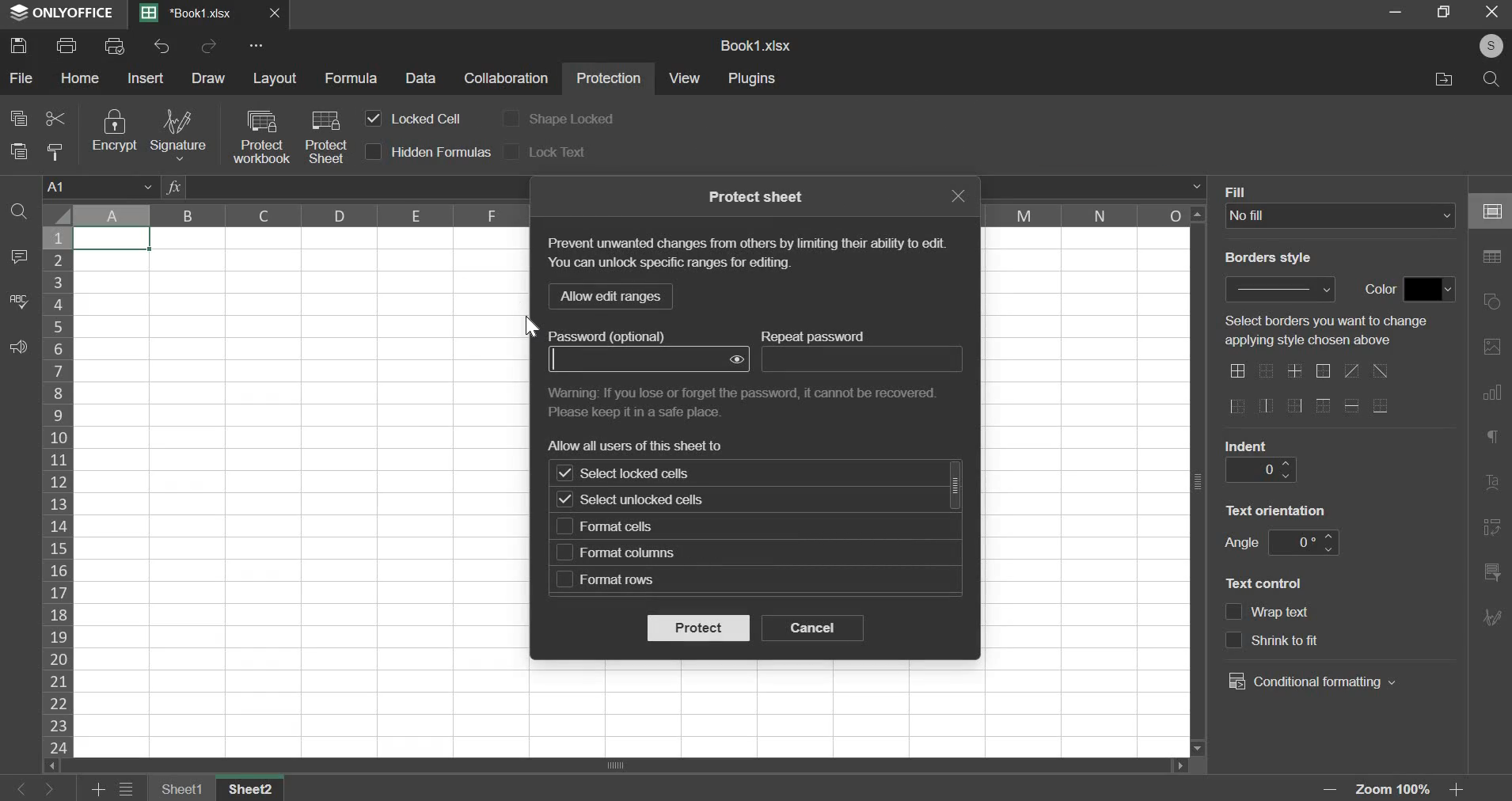  I want to click on find, so click(20, 211).